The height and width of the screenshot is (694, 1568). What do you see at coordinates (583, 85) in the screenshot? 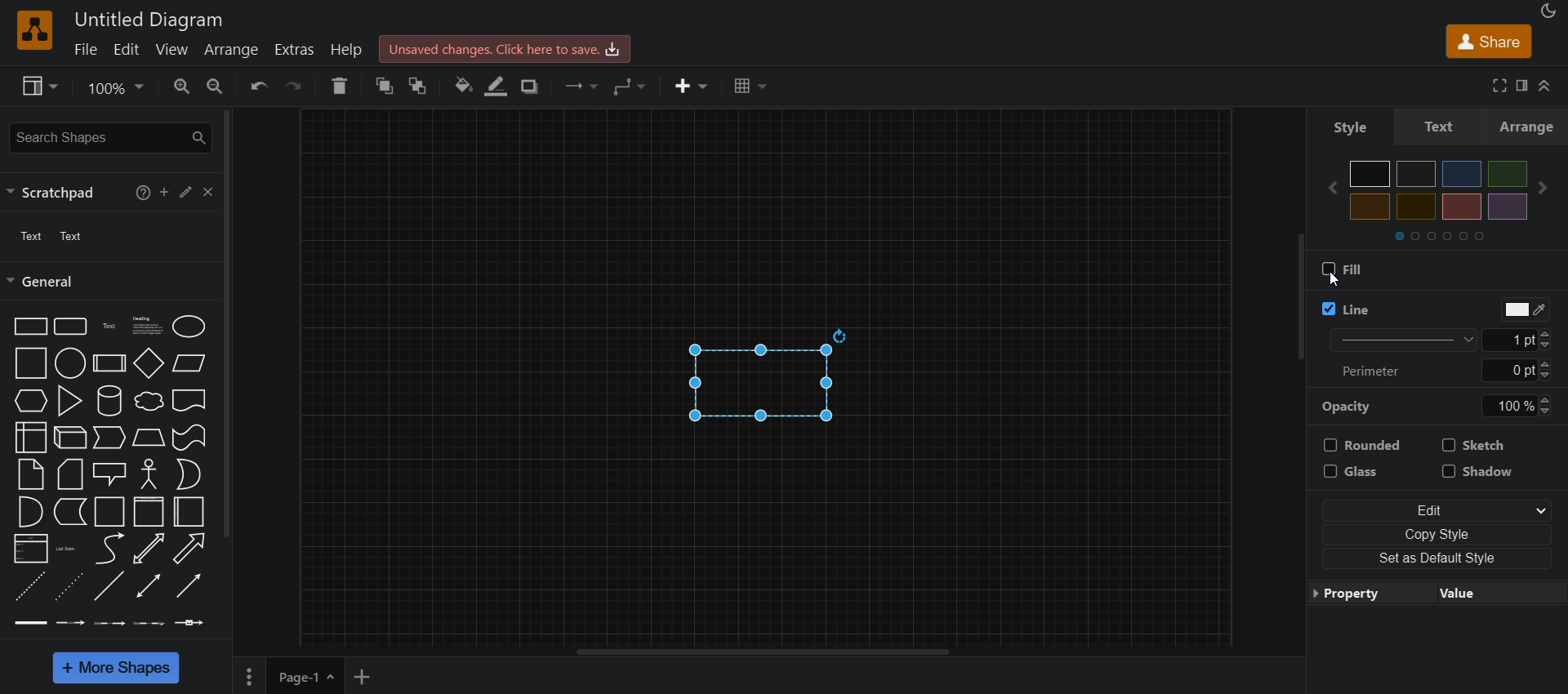
I see `connection` at bounding box center [583, 85].